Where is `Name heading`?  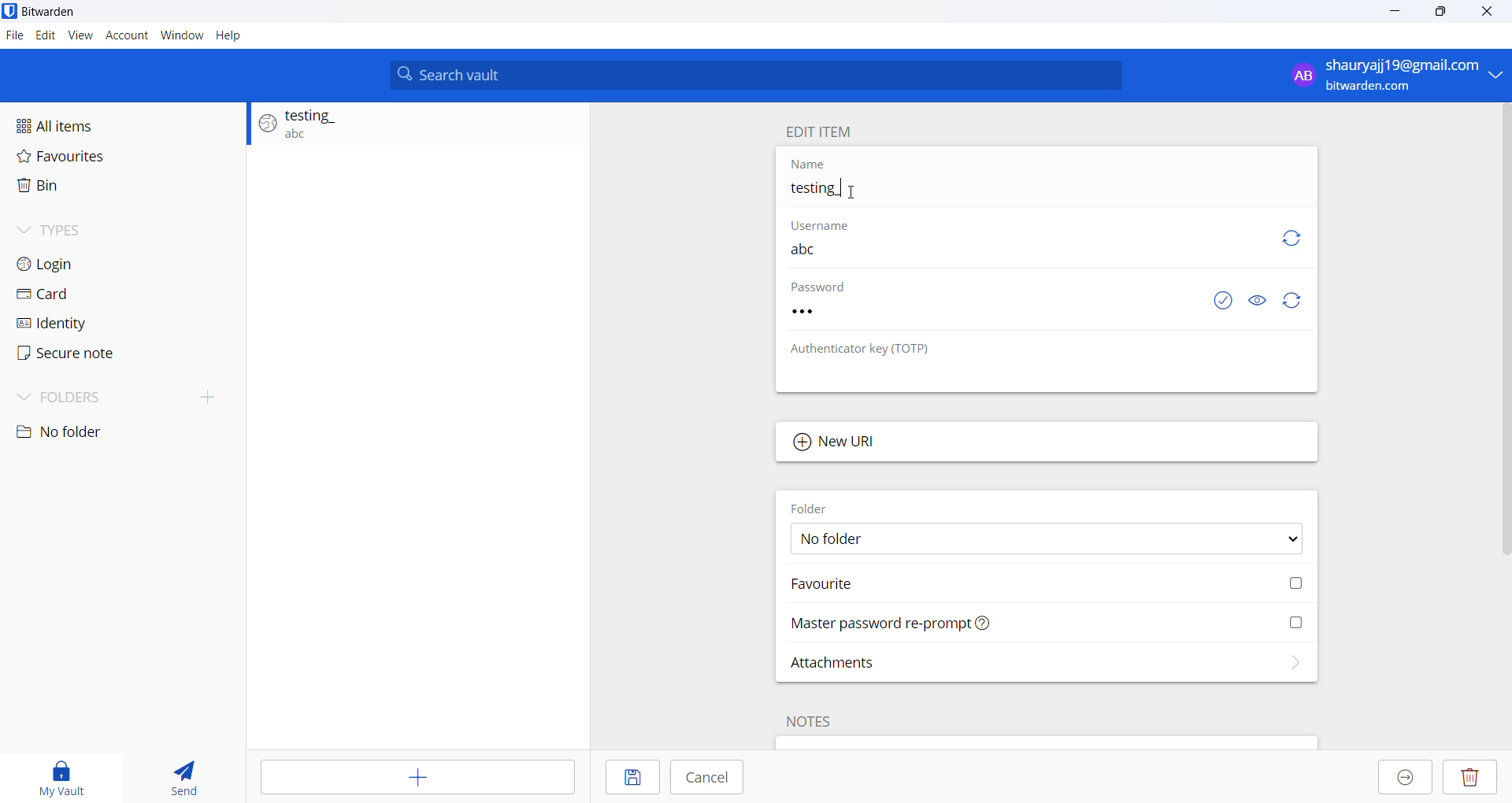 Name heading is located at coordinates (805, 164).